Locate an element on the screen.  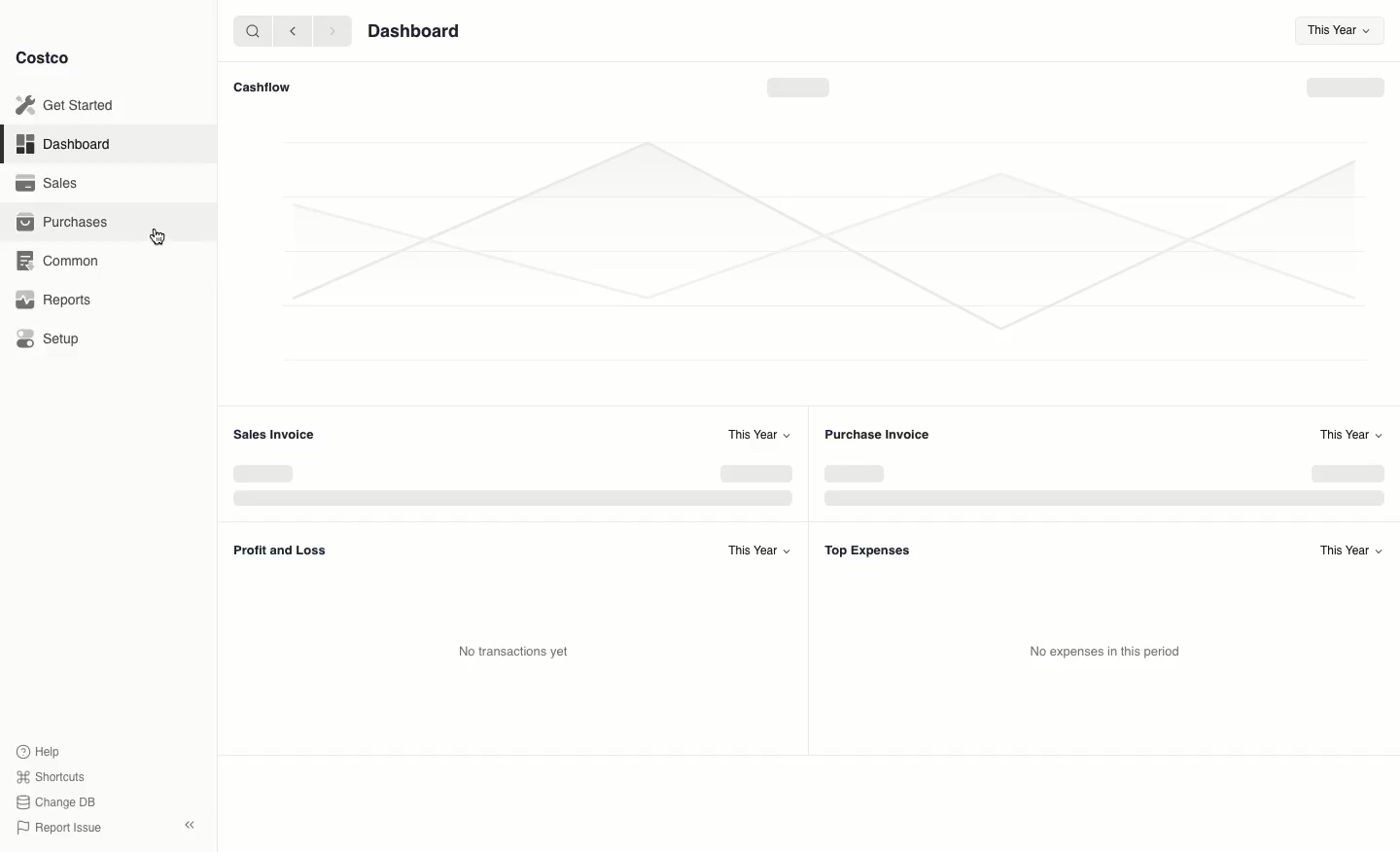
Graph is located at coordinates (810, 254).